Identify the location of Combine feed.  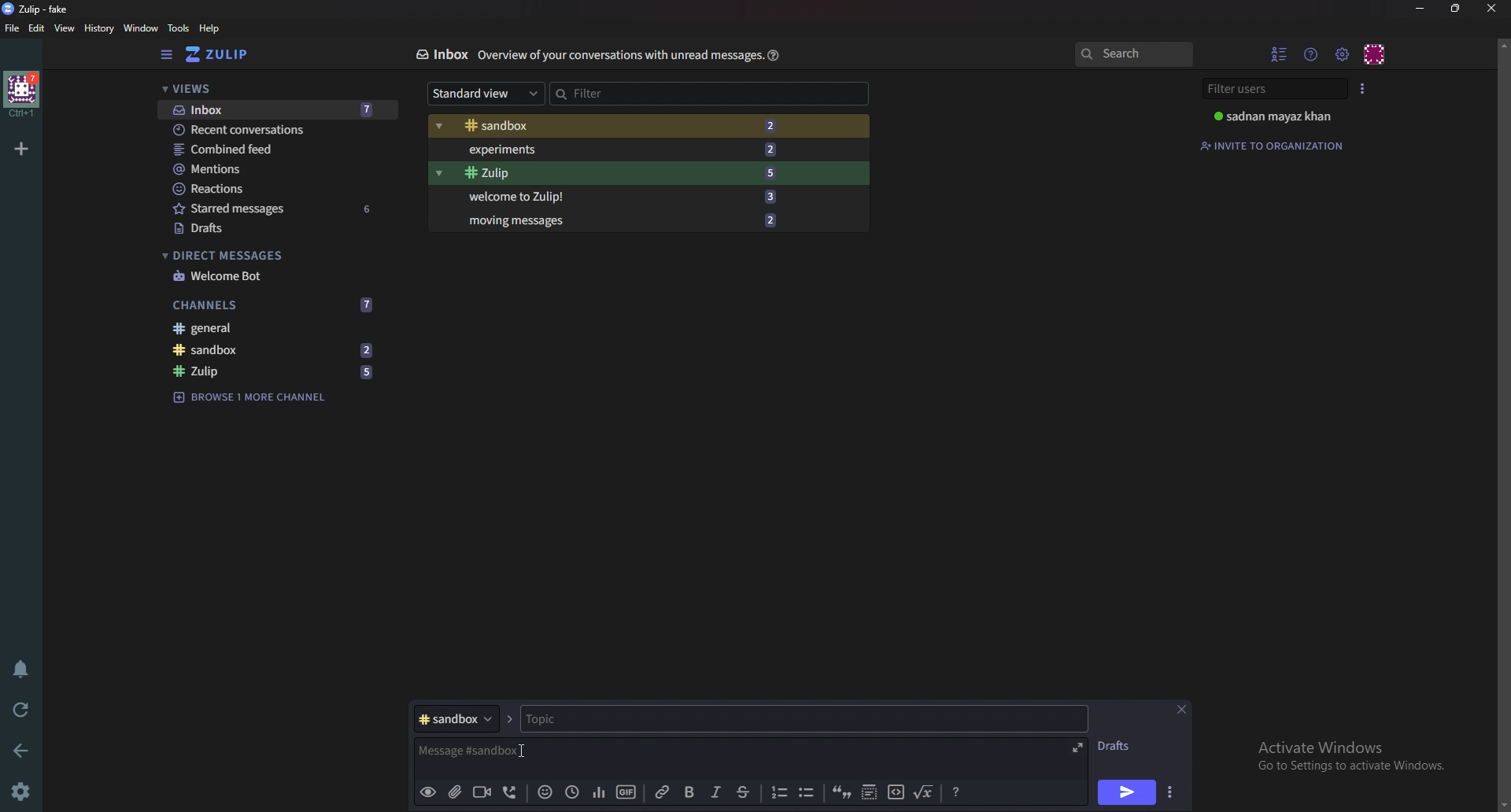
(279, 149).